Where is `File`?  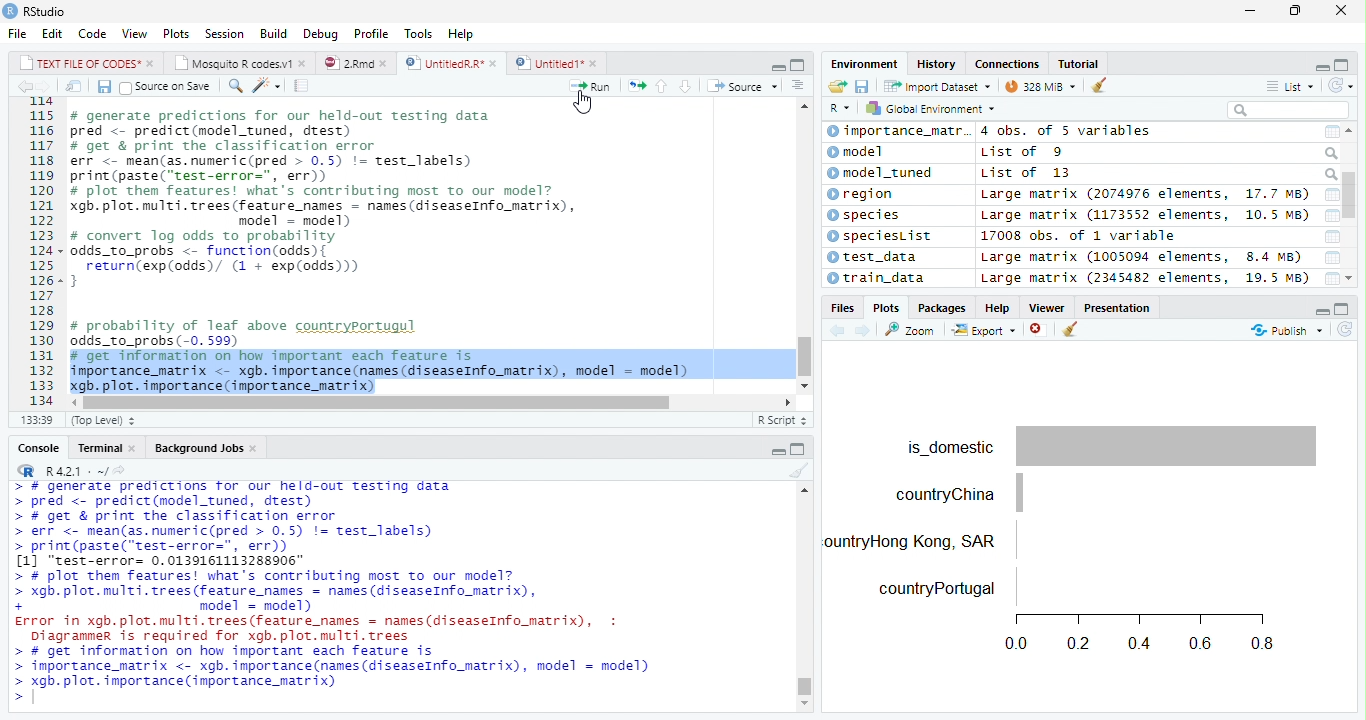
File is located at coordinates (16, 33).